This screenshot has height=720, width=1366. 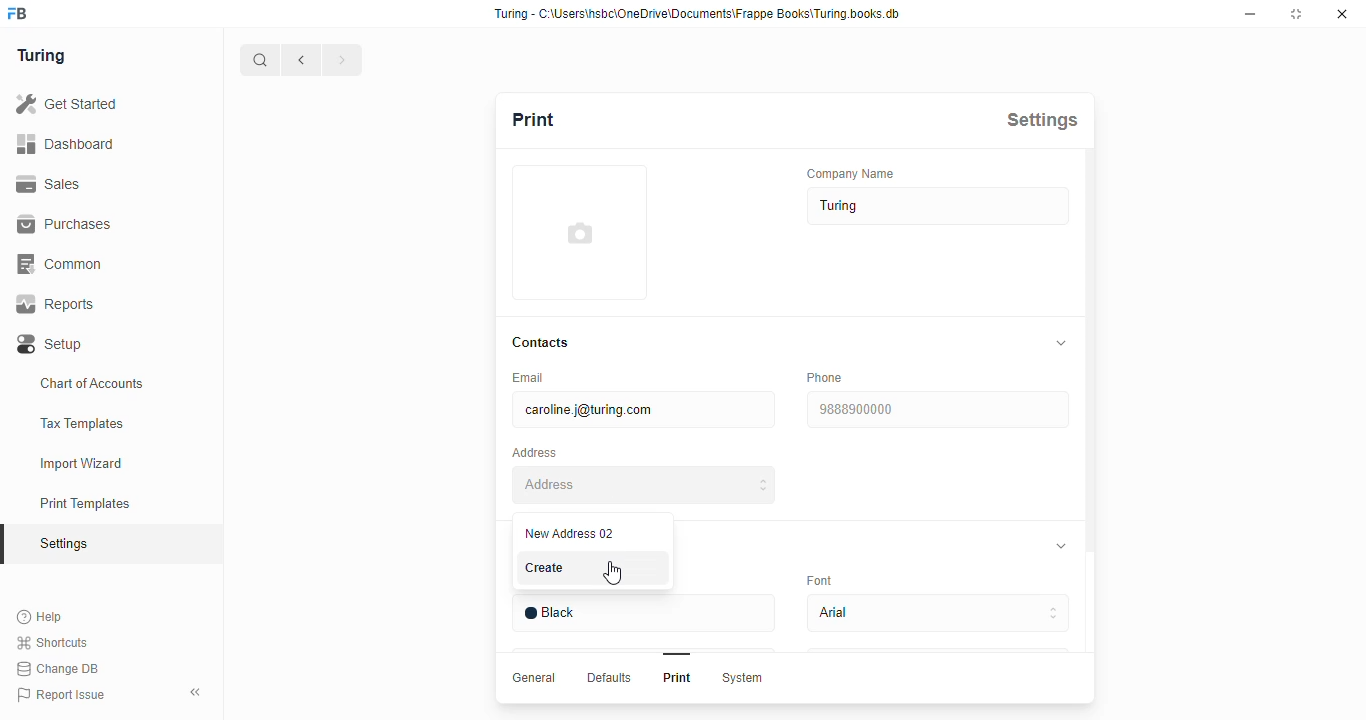 I want to click on Print, so click(x=678, y=677).